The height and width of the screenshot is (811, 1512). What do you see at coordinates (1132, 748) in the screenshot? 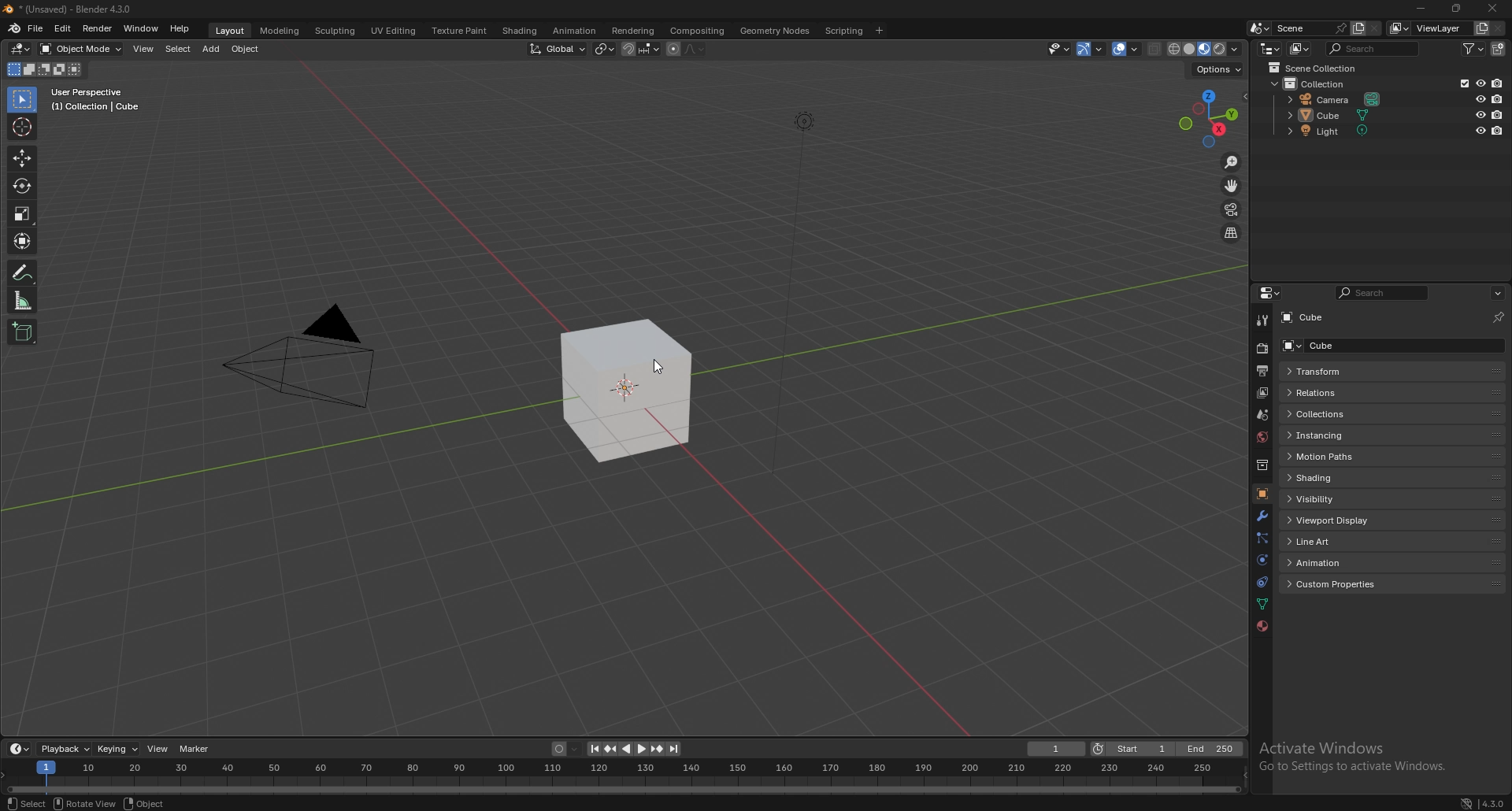
I see `start frame` at bounding box center [1132, 748].